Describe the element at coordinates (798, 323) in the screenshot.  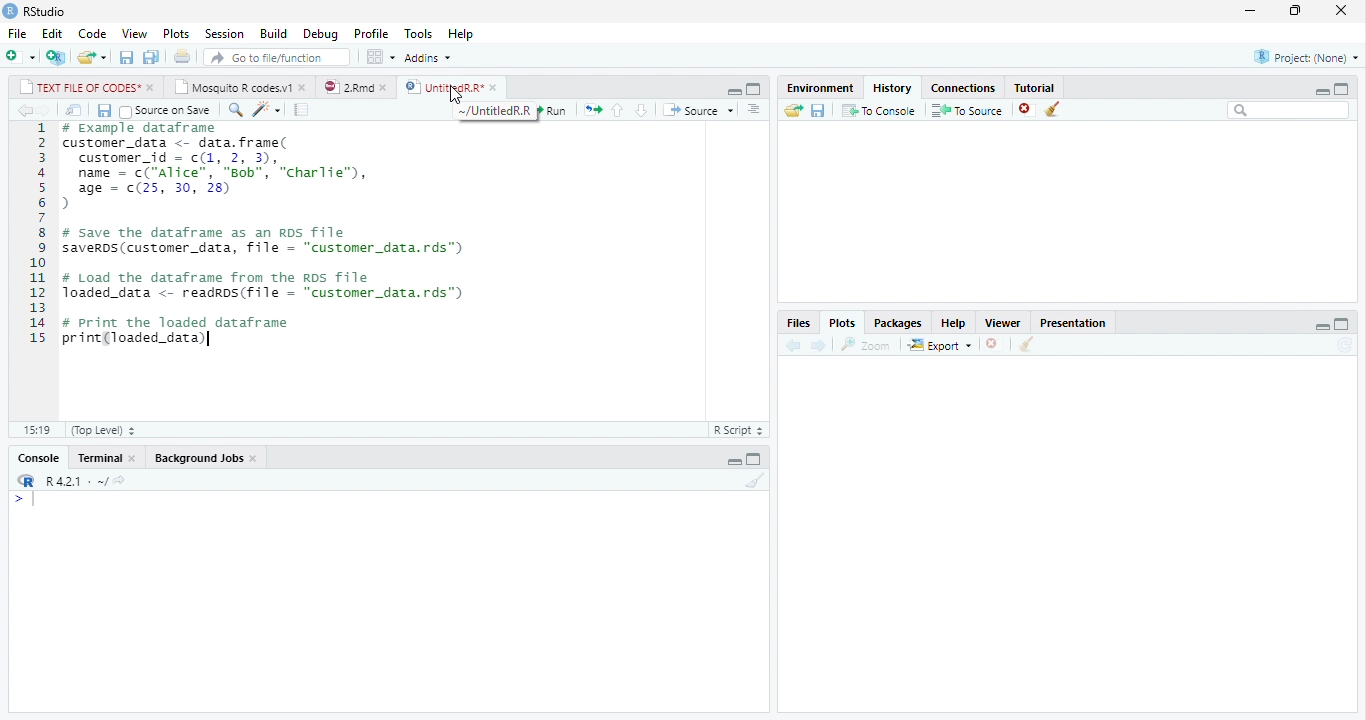
I see `Files` at that location.